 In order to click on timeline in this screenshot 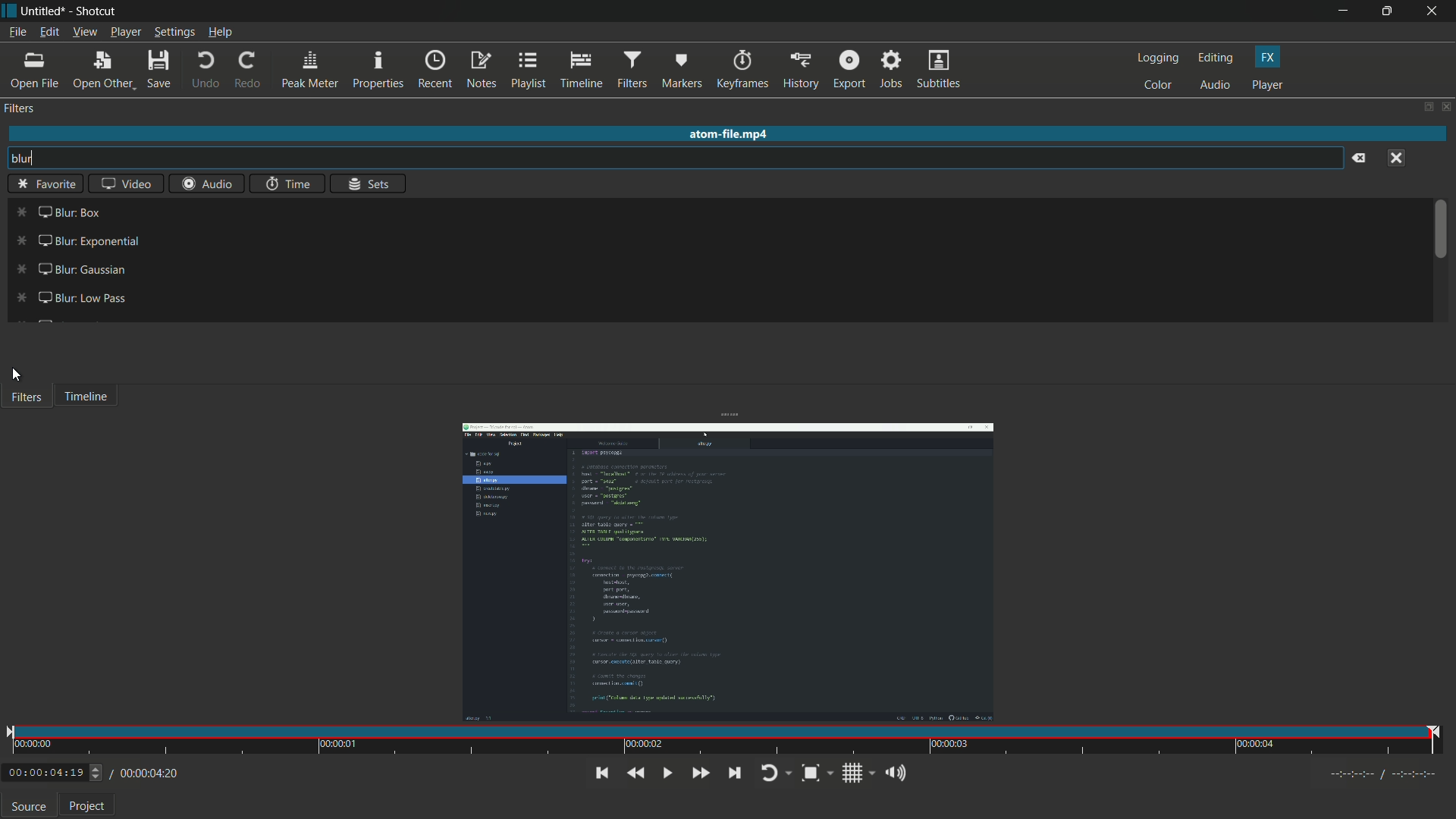, I will do `click(579, 71)`.